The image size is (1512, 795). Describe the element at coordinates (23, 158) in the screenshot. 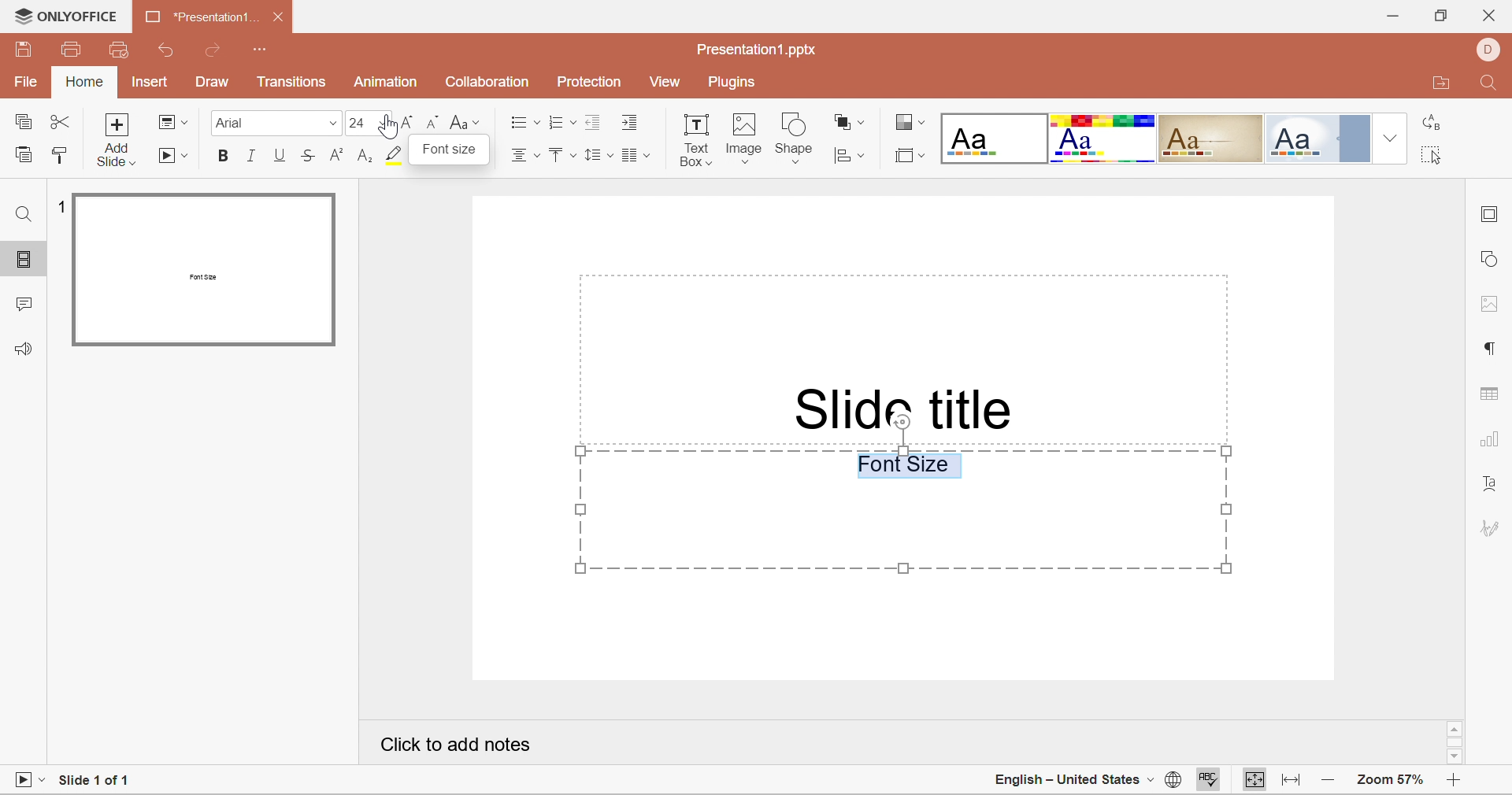

I see `Paste` at that location.